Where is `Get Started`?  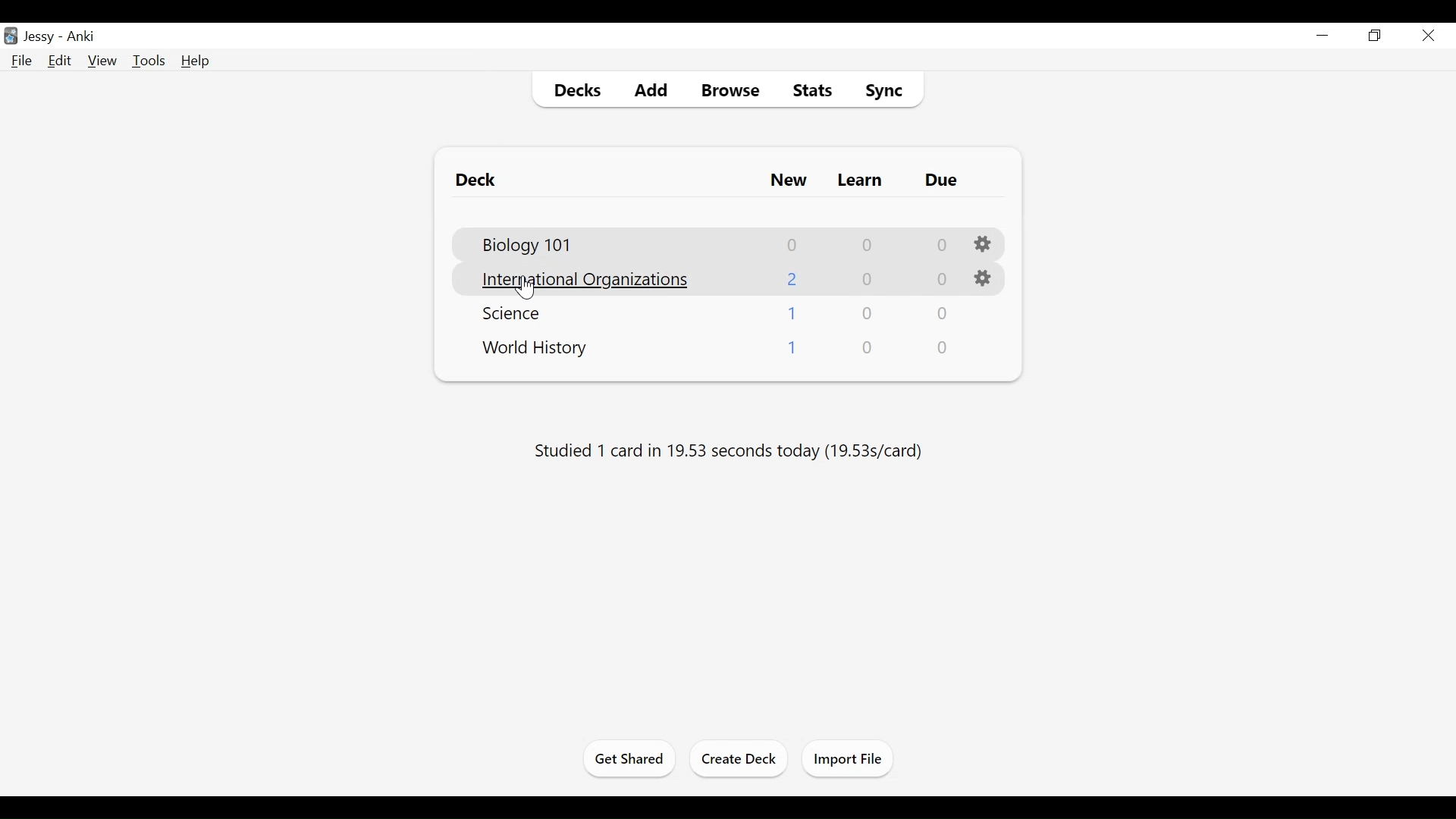 Get Started is located at coordinates (626, 757).